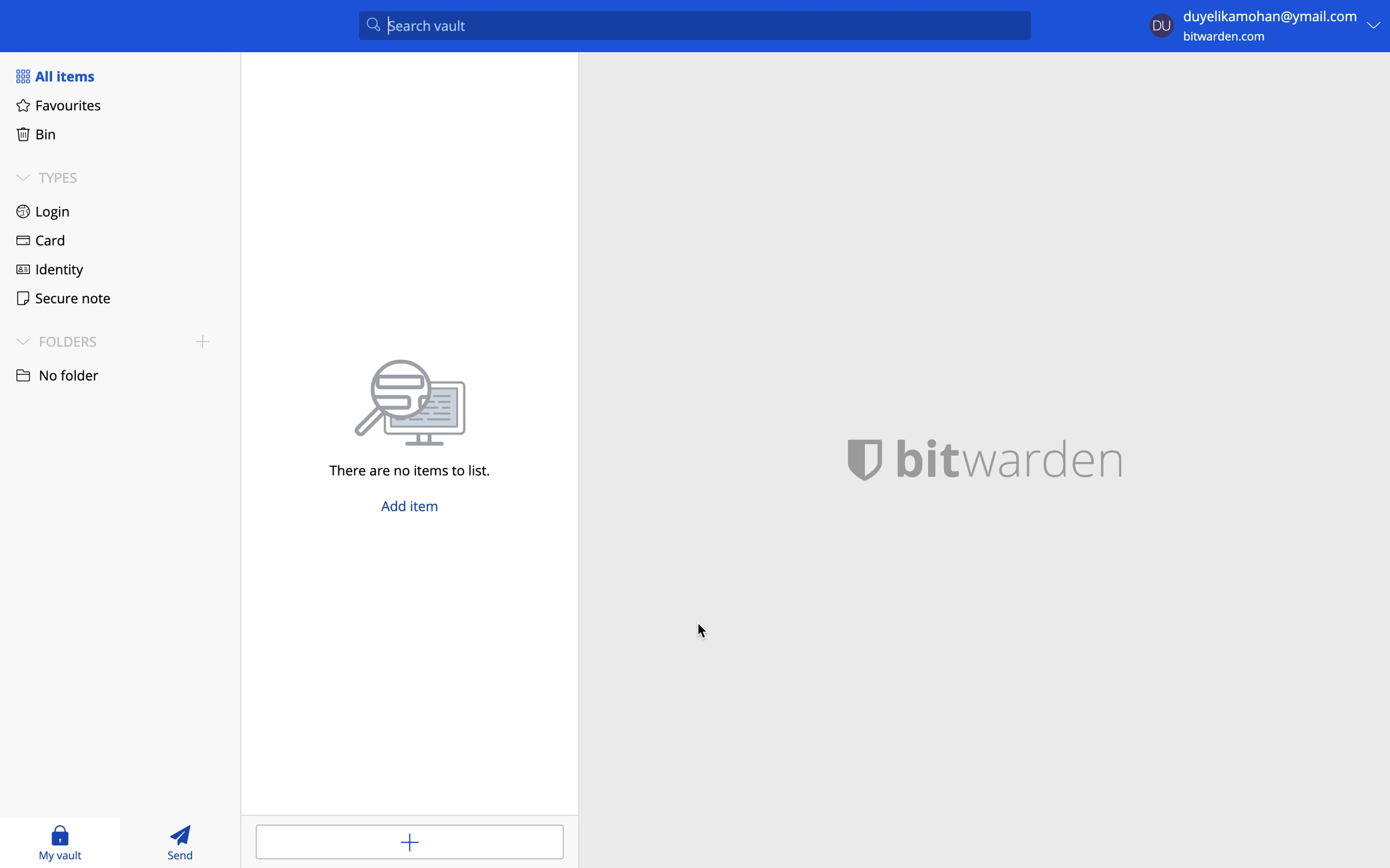 The height and width of the screenshot is (868, 1390). I want to click on bin, so click(44, 139).